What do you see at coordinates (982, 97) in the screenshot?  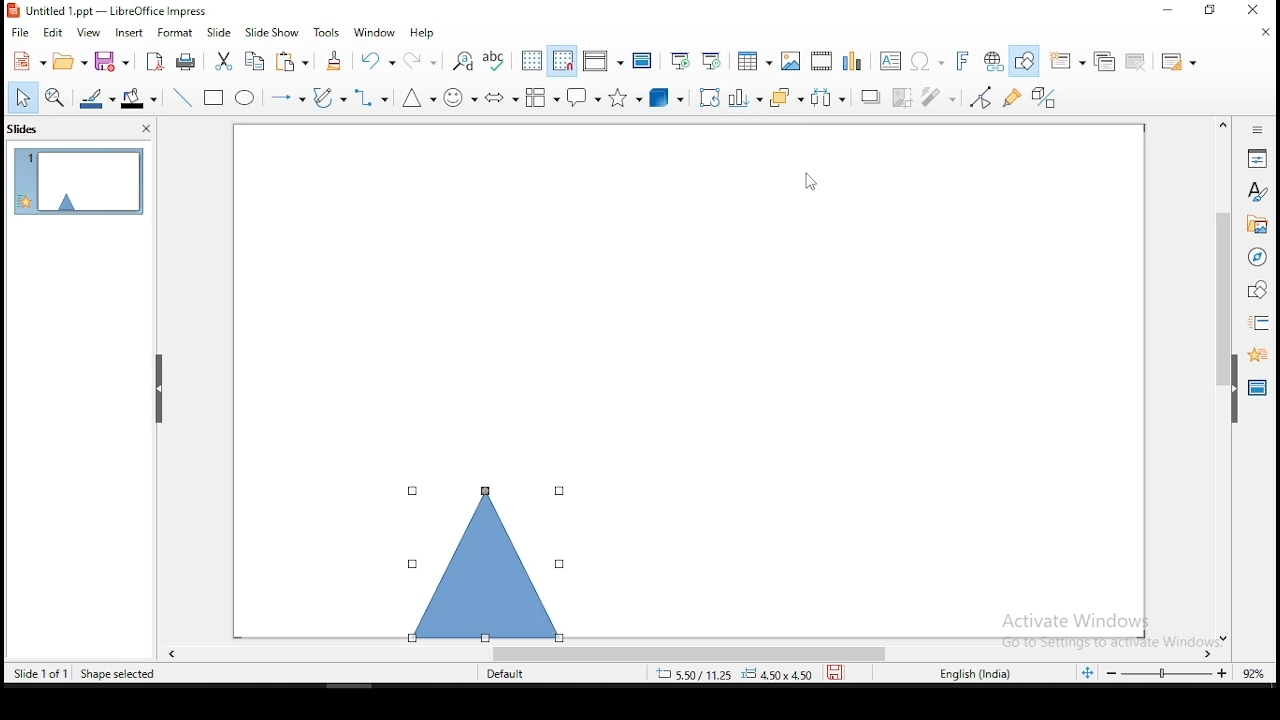 I see `toggle point edit mode` at bounding box center [982, 97].